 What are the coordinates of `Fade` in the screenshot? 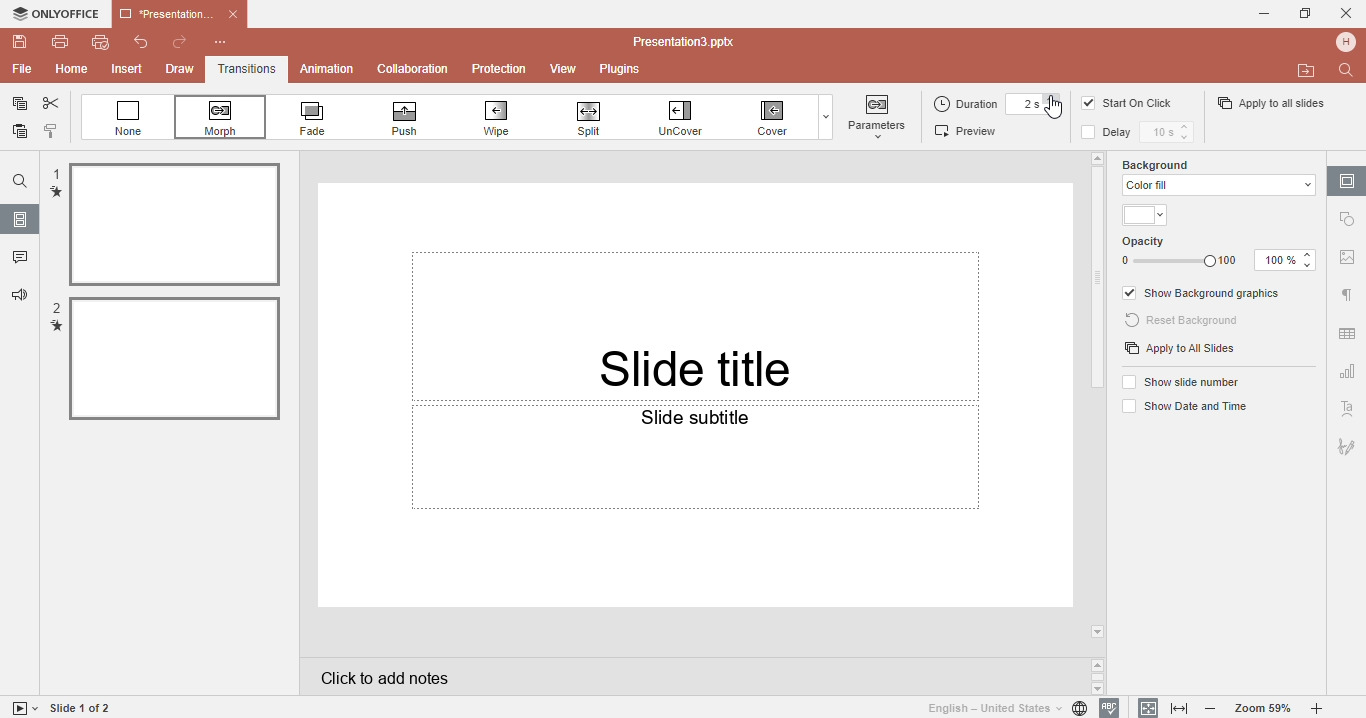 It's located at (325, 118).